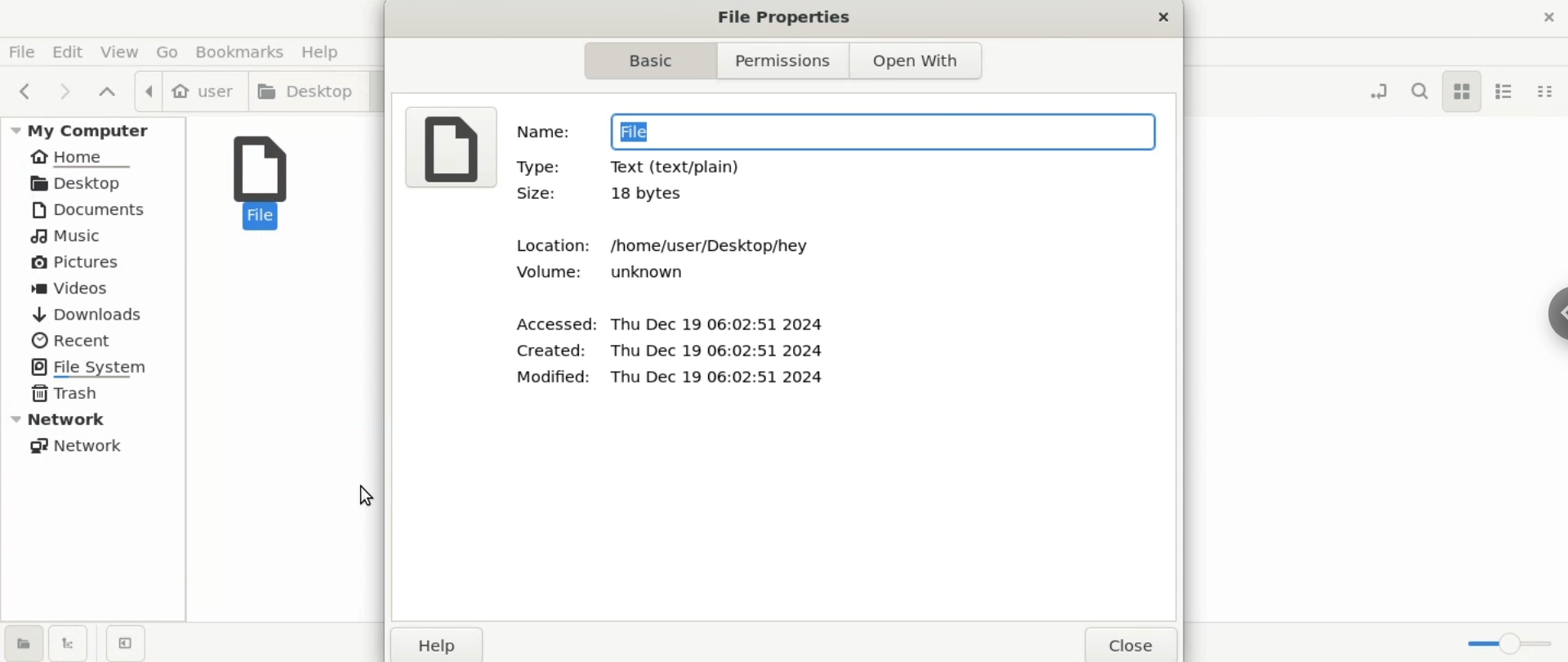 This screenshot has height=662, width=1568. I want to click on recent, so click(94, 340).